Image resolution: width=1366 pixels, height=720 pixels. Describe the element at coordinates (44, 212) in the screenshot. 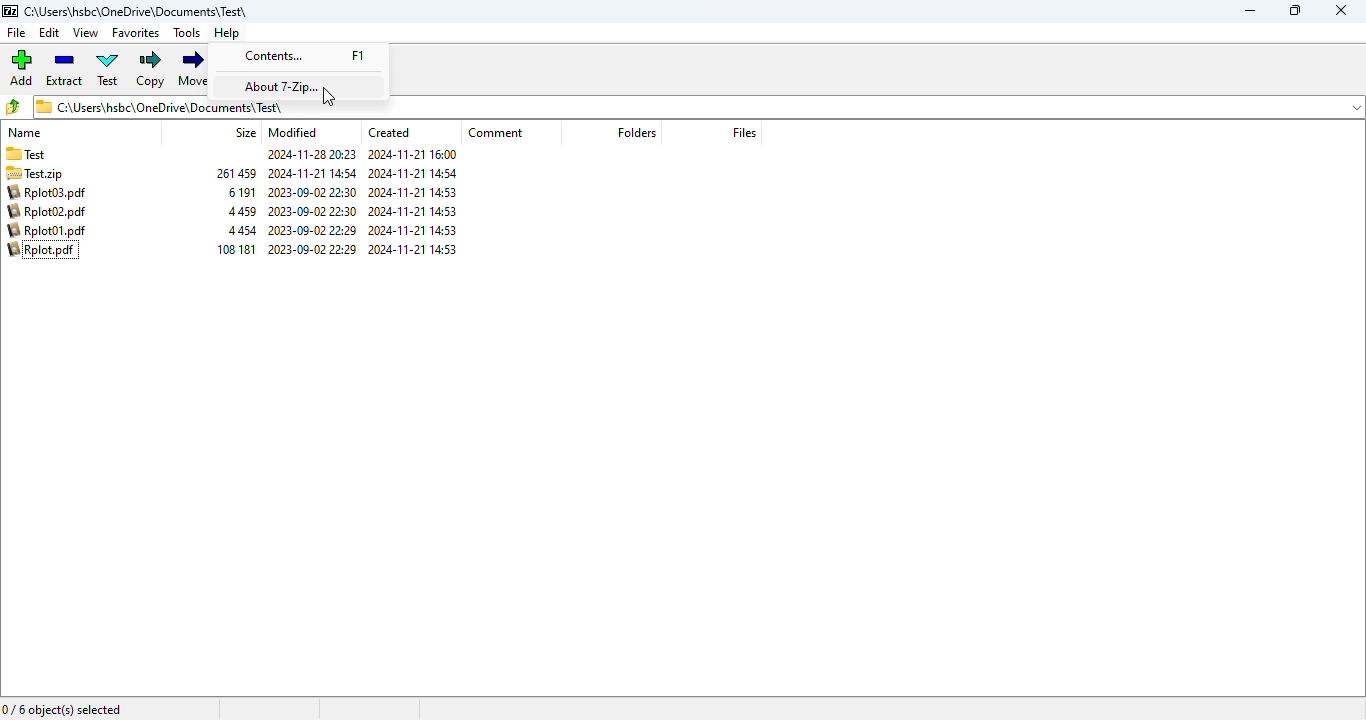

I see `Rplot02.pdf` at that location.